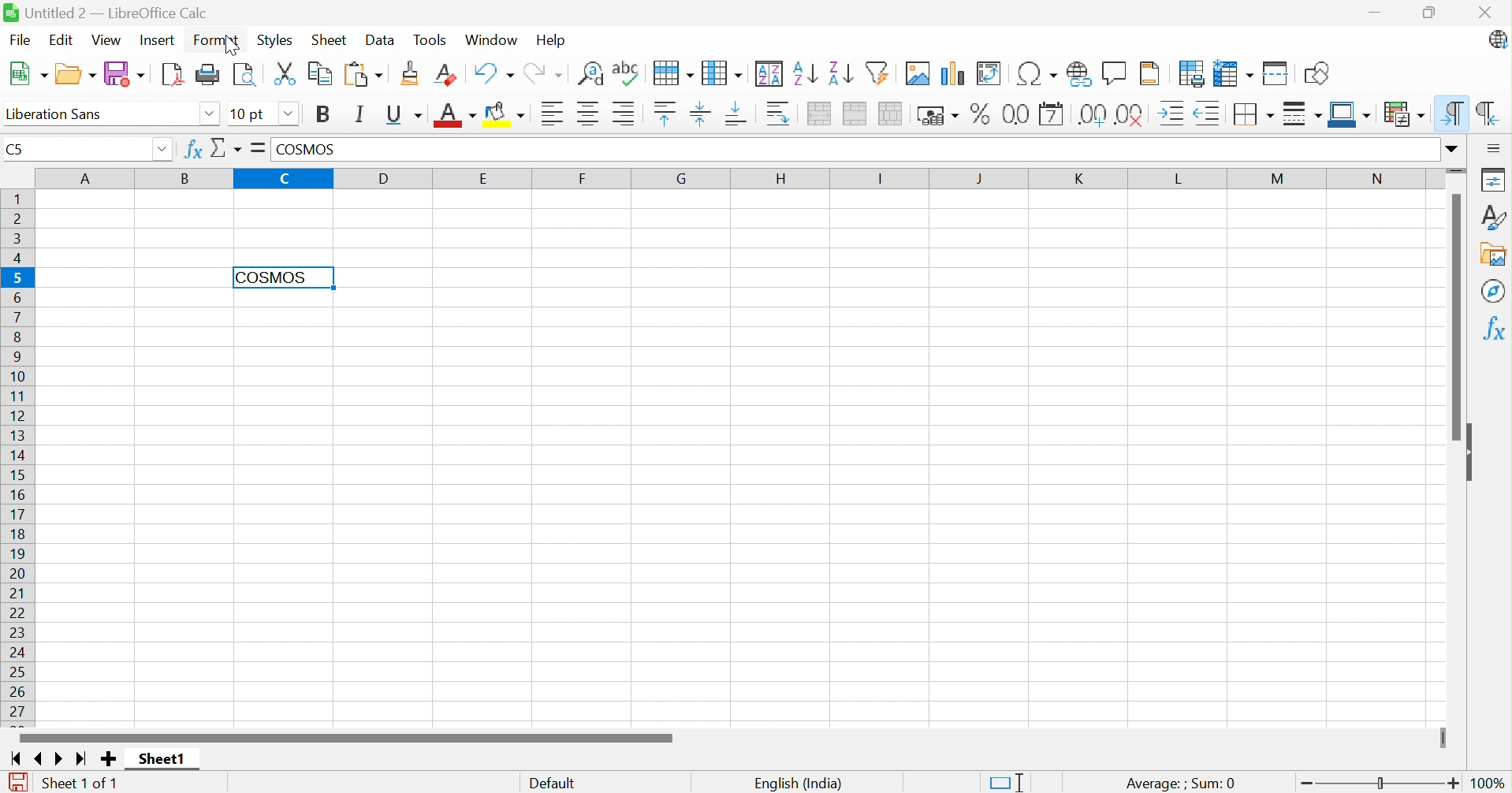 The height and width of the screenshot is (793, 1512). Describe the element at coordinates (288, 114) in the screenshot. I see `Drop Down` at that location.